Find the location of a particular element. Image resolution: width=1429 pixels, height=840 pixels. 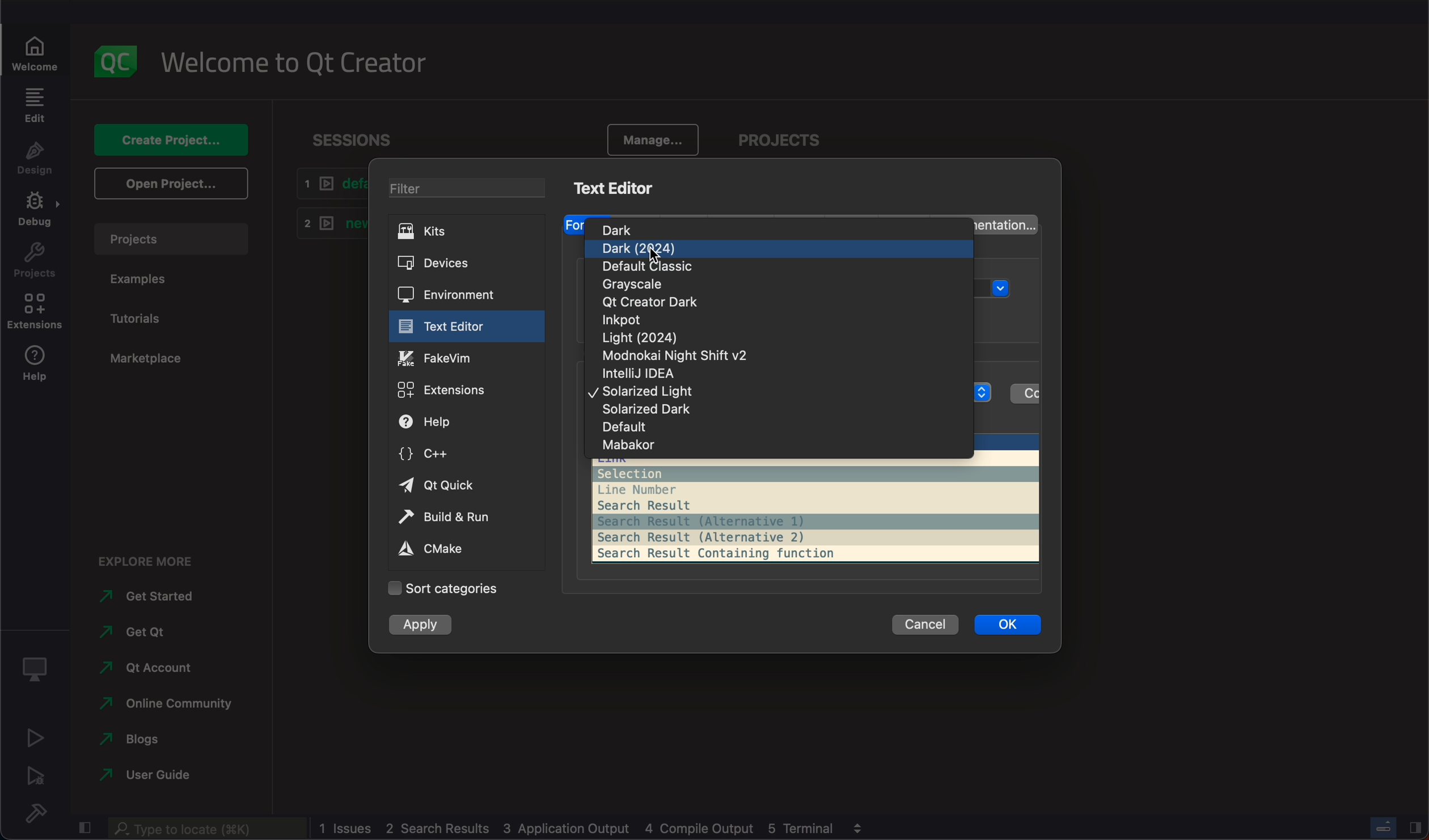

extensions is located at coordinates (465, 389).